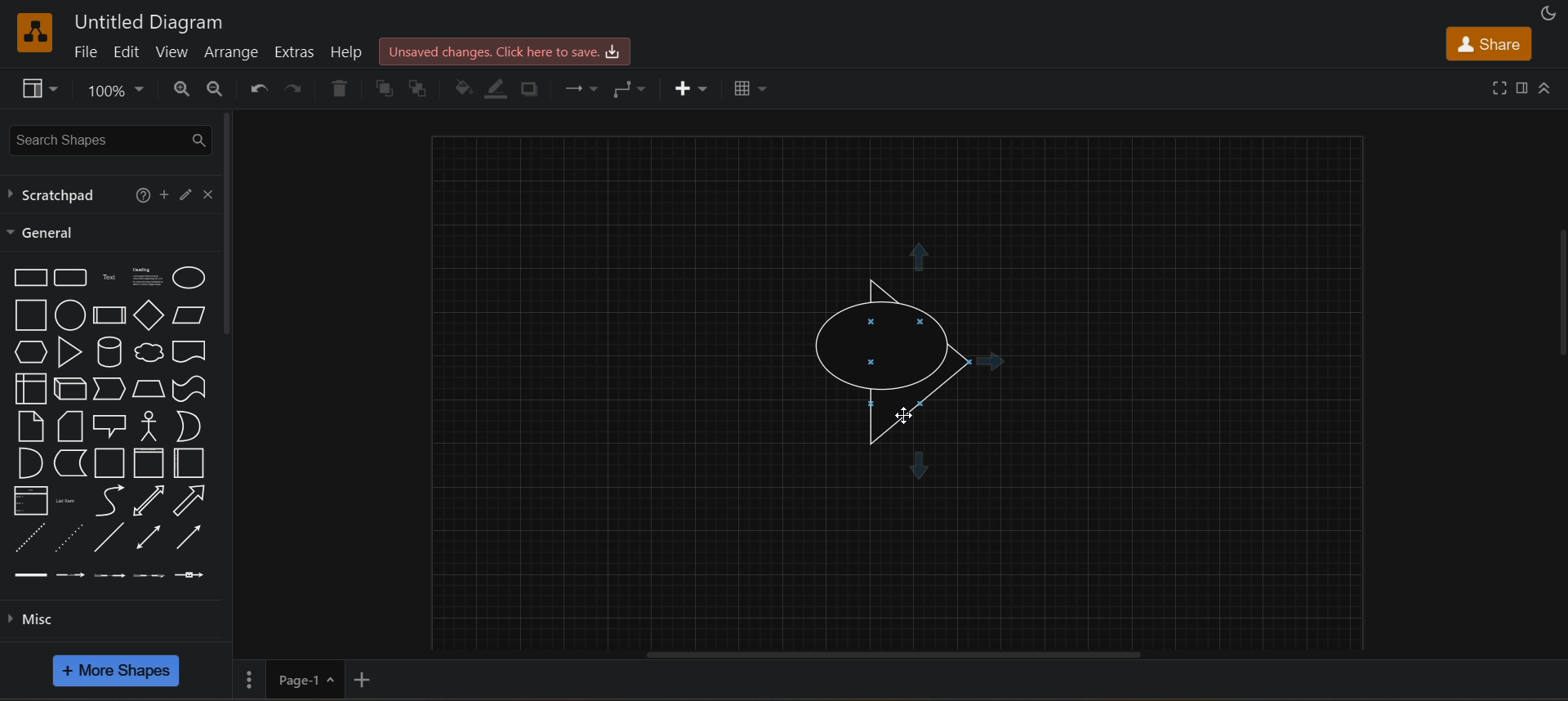 This screenshot has width=1568, height=701. What do you see at coordinates (113, 426) in the screenshot?
I see `callout` at bounding box center [113, 426].